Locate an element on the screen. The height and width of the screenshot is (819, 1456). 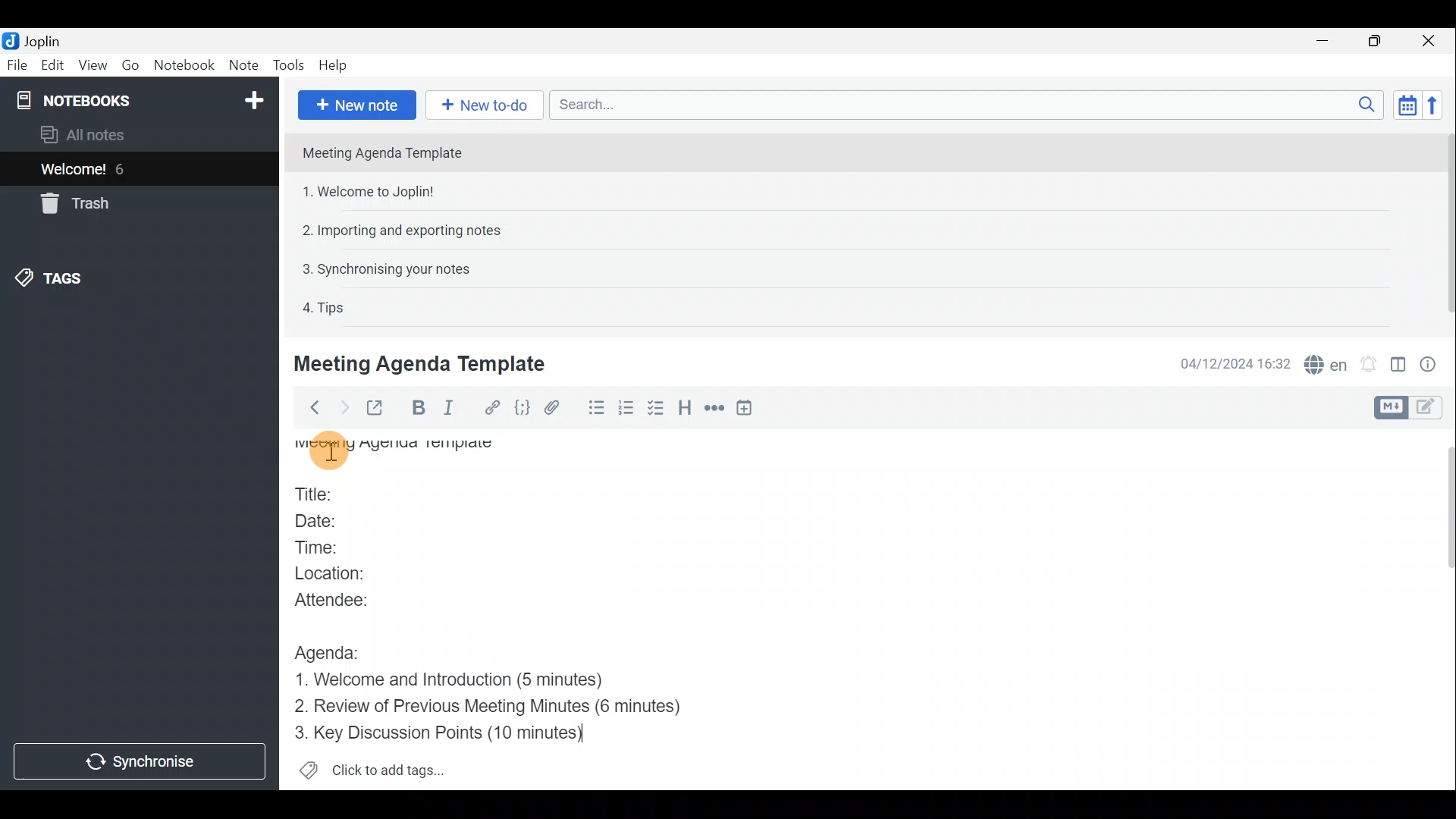
View is located at coordinates (90, 67).